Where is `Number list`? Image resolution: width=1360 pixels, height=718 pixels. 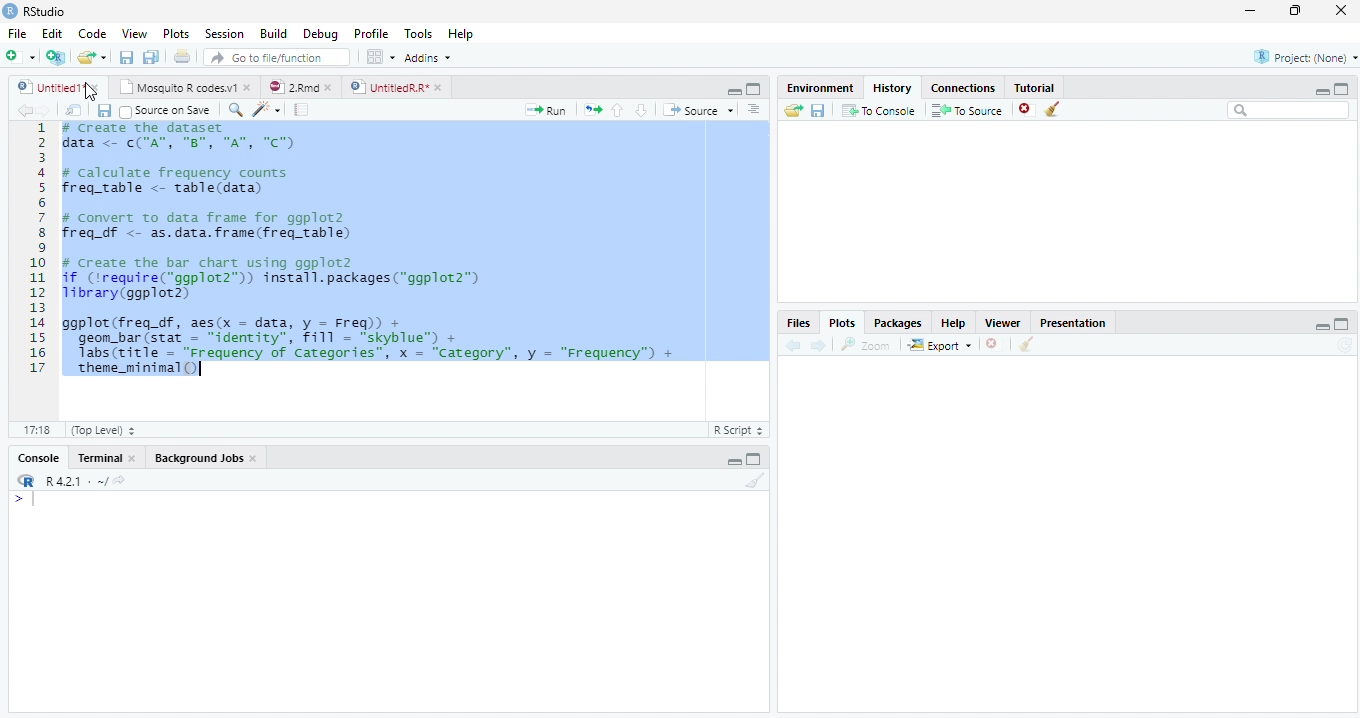 Number list is located at coordinates (34, 254).